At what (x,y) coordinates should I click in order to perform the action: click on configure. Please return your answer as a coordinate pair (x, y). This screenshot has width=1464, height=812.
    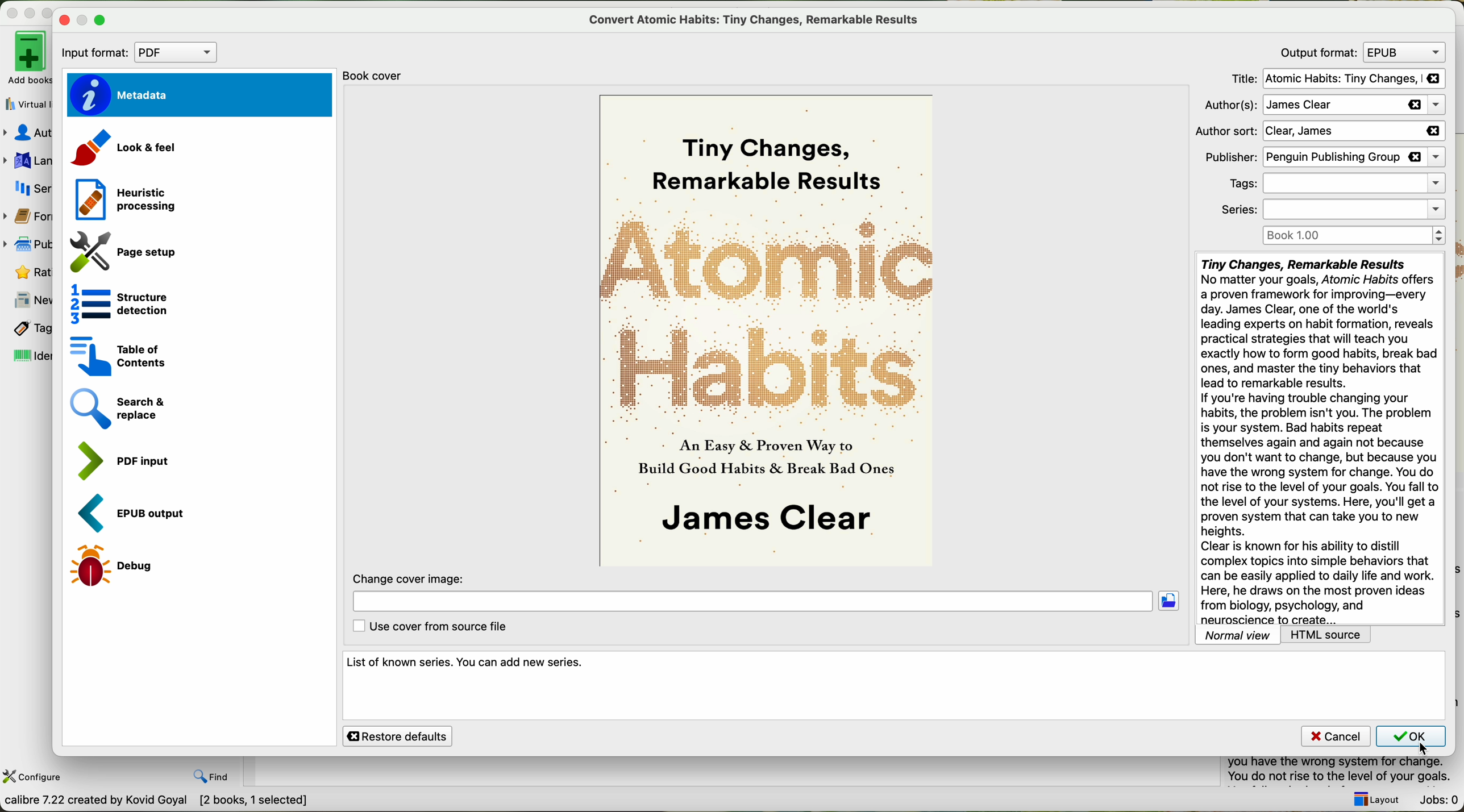
    Looking at the image, I should click on (34, 777).